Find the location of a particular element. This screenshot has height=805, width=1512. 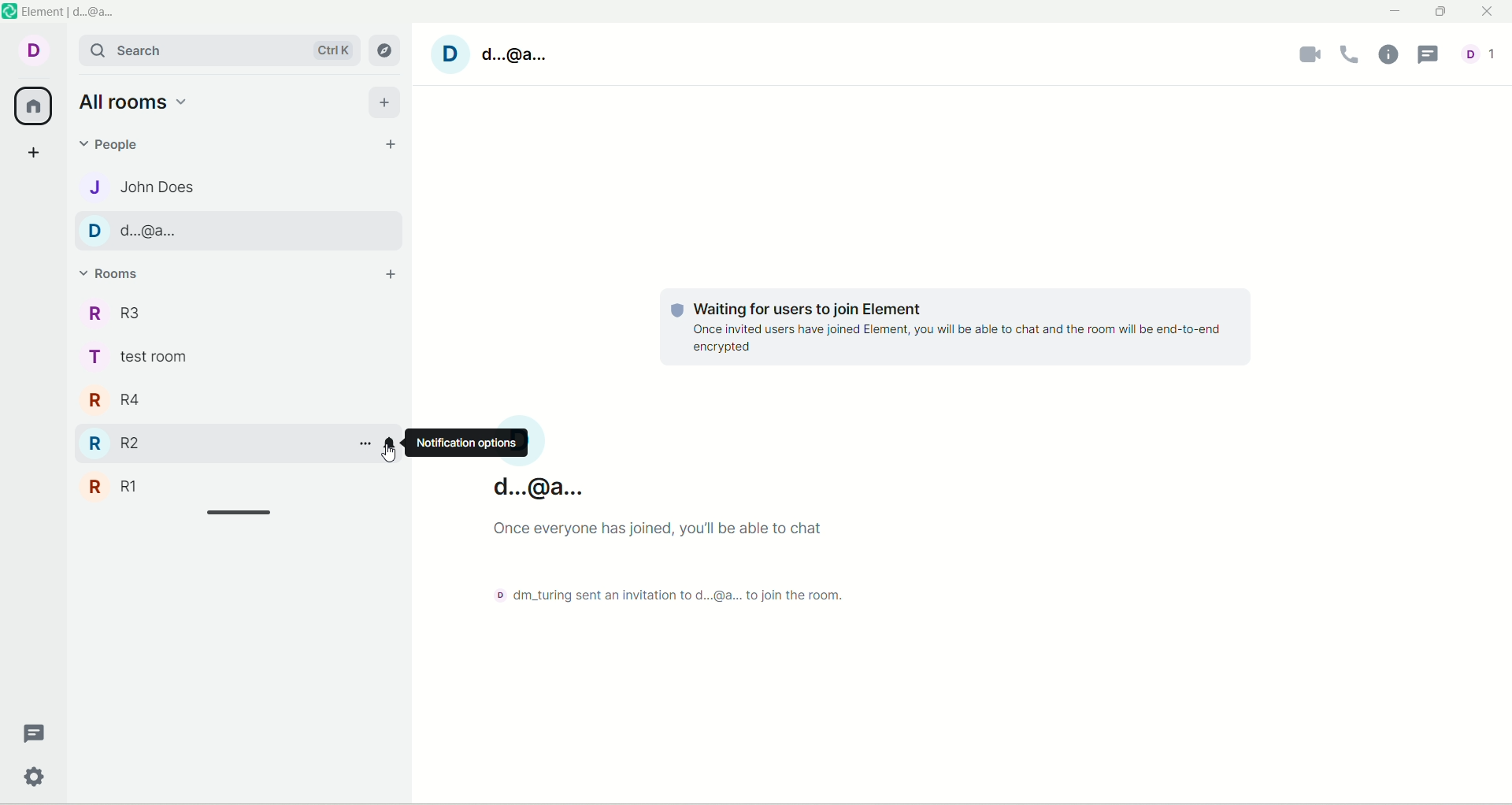

expand is located at coordinates (242, 514).